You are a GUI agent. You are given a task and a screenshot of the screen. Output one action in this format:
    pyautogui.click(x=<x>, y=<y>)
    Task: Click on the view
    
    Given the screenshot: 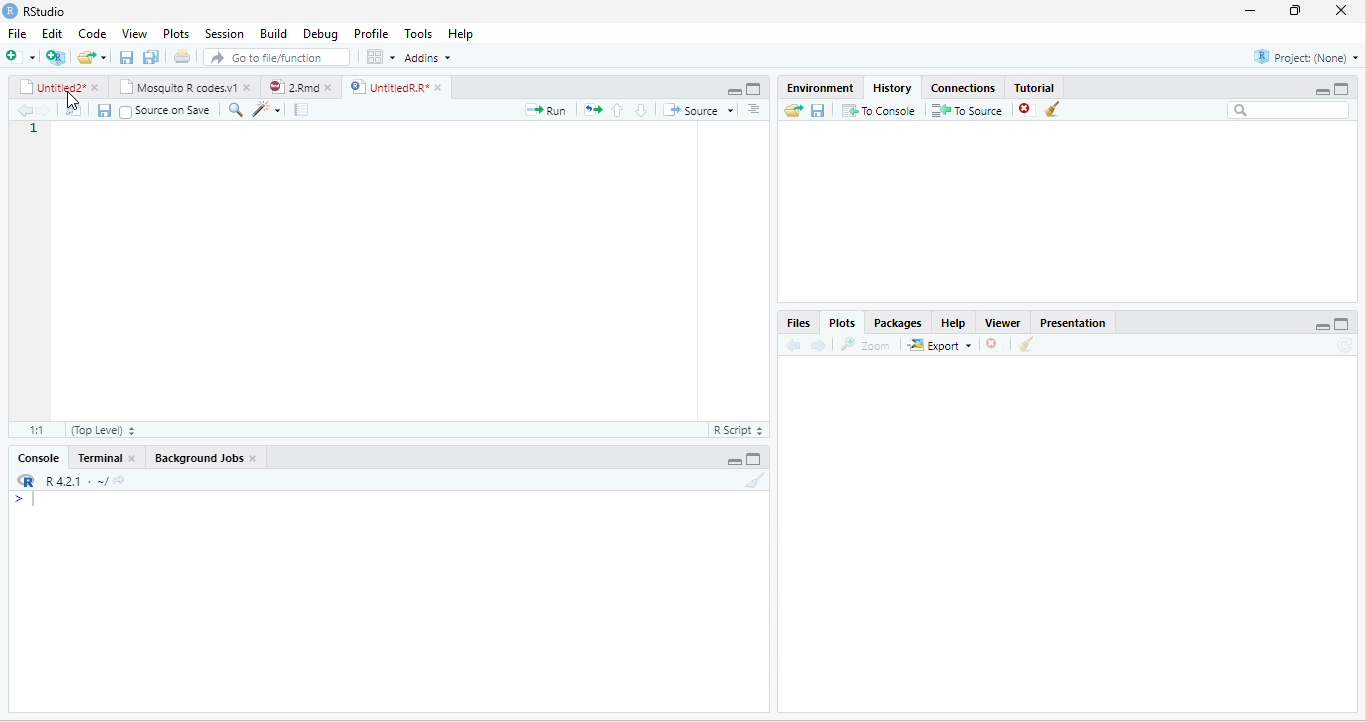 What is the action you would take?
    pyautogui.click(x=136, y=33)
    